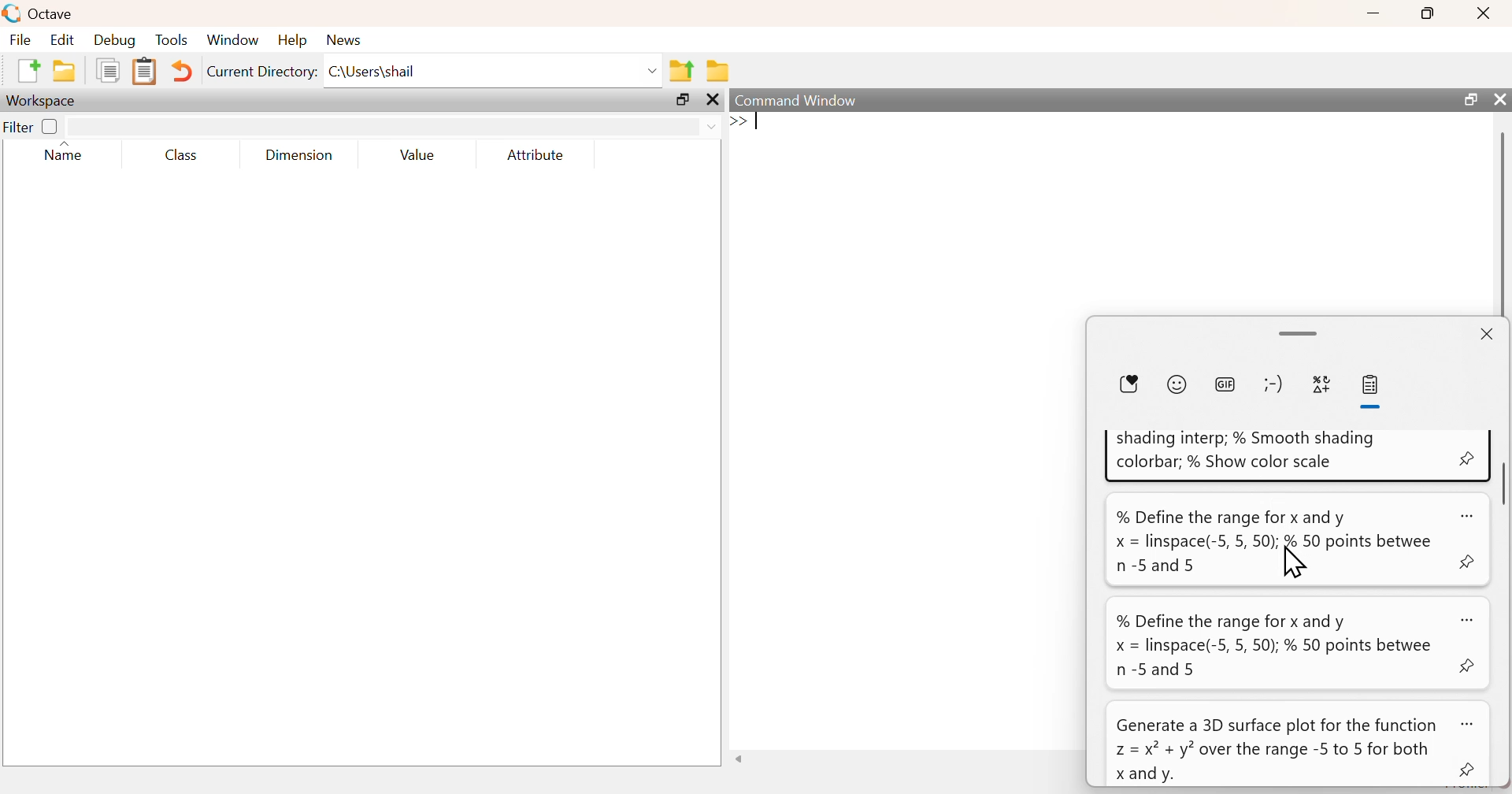  I want to click on Command Window, so click(798, 100).